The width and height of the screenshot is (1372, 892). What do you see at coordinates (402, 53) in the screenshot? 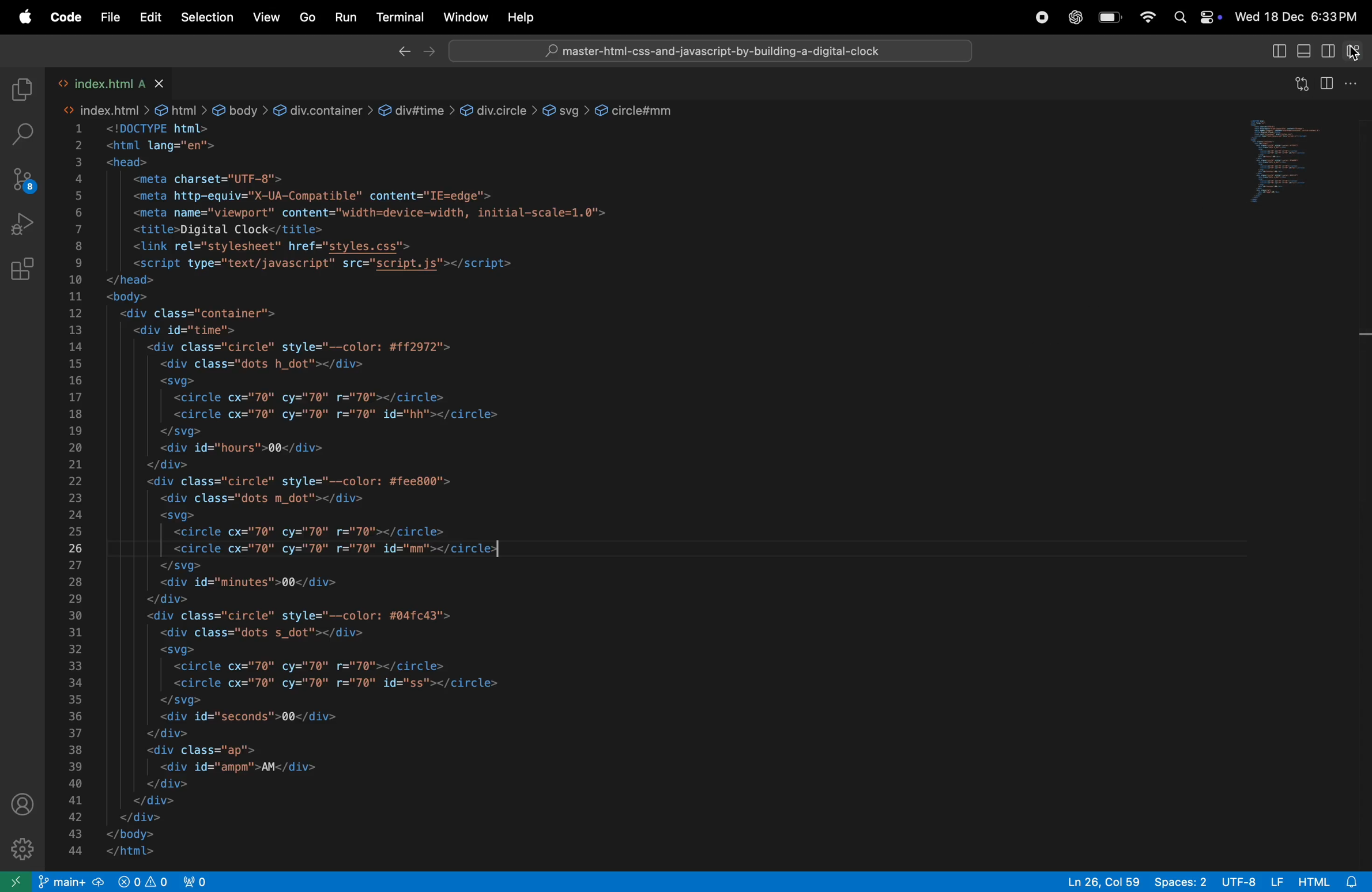
I see `back ward` at bounding box center [402, 53].